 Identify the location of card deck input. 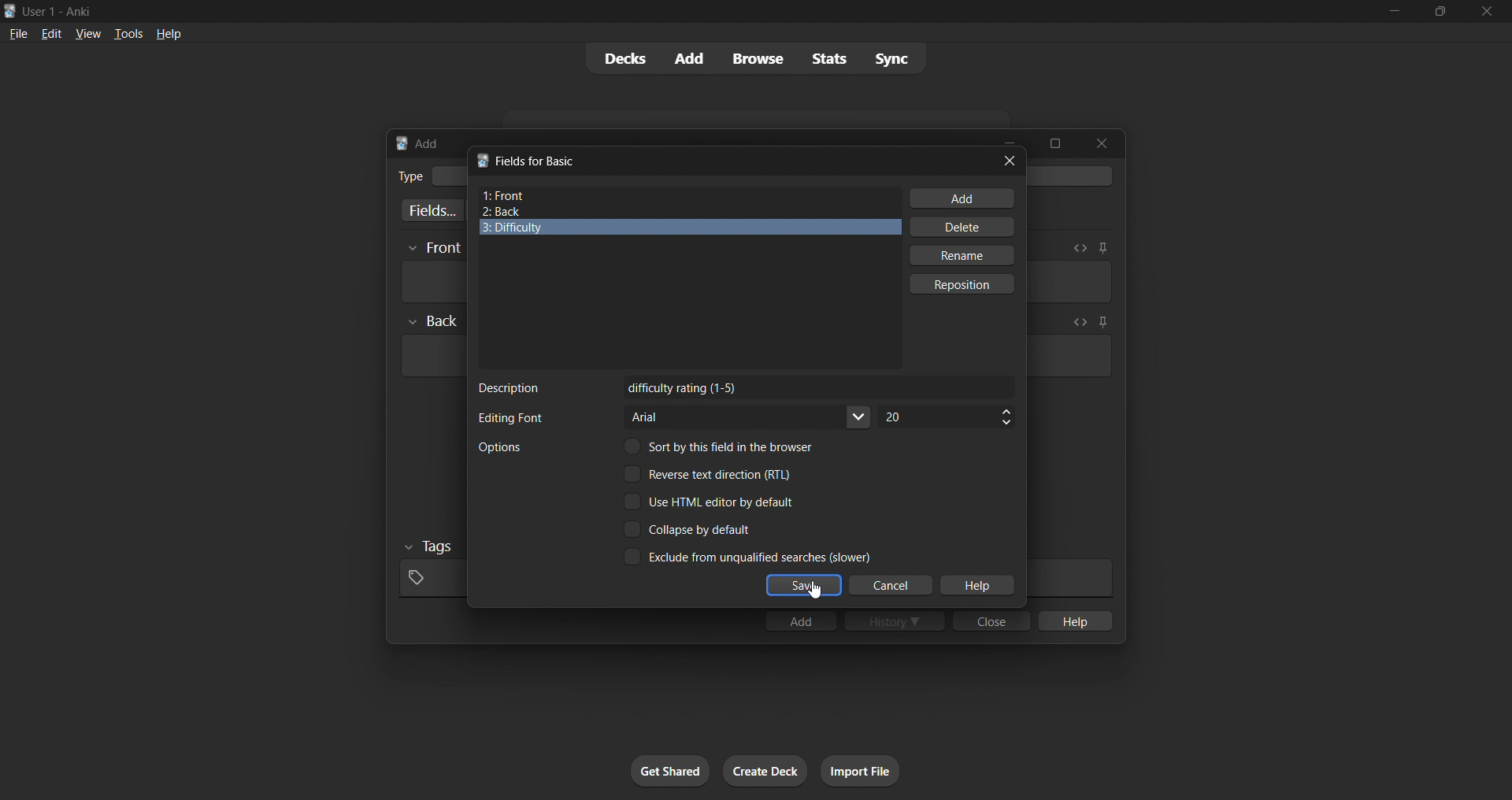
(1073, 176).